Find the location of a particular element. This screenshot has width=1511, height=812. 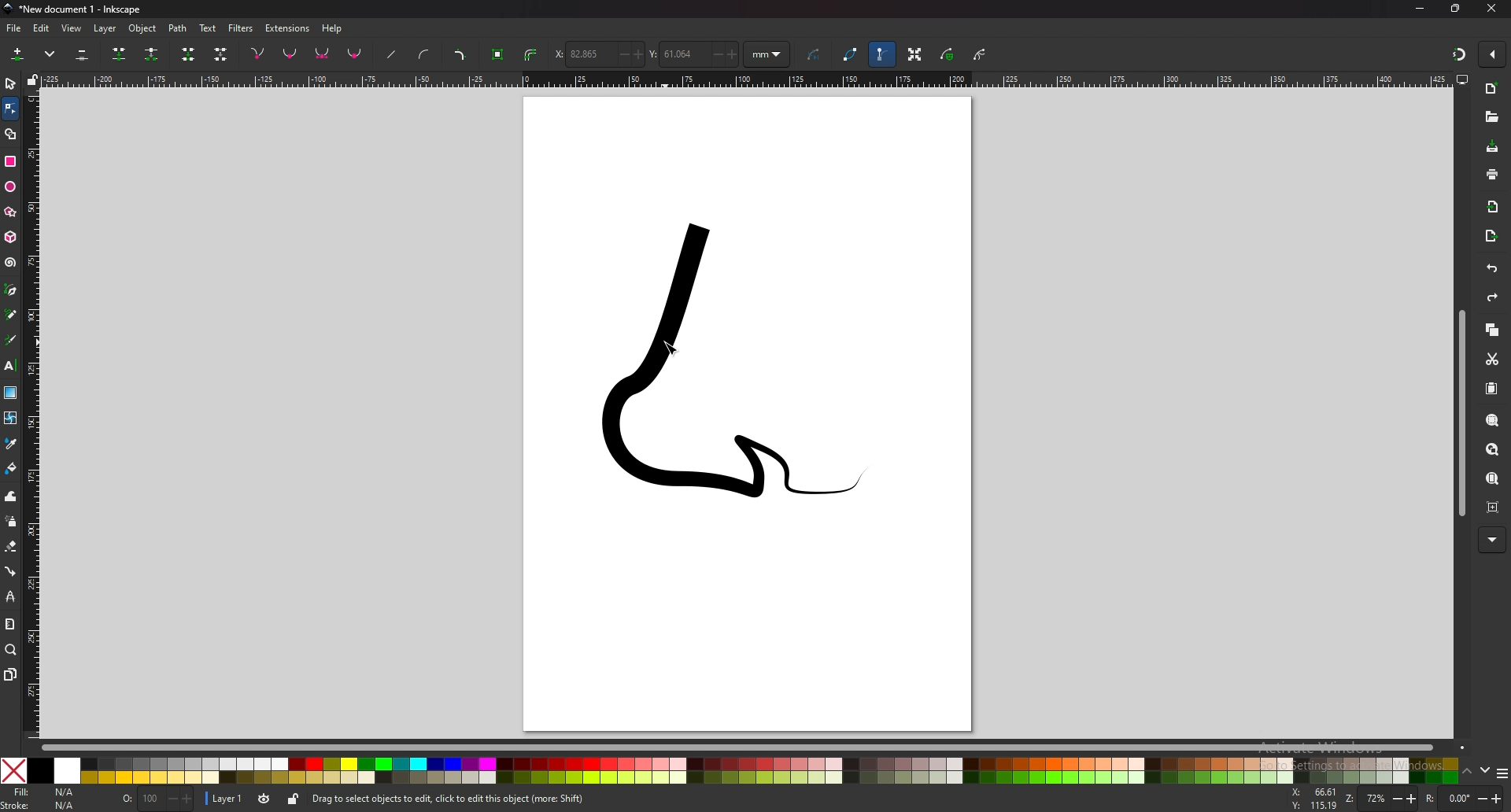

show path outline is located at coordinates (851, 54).